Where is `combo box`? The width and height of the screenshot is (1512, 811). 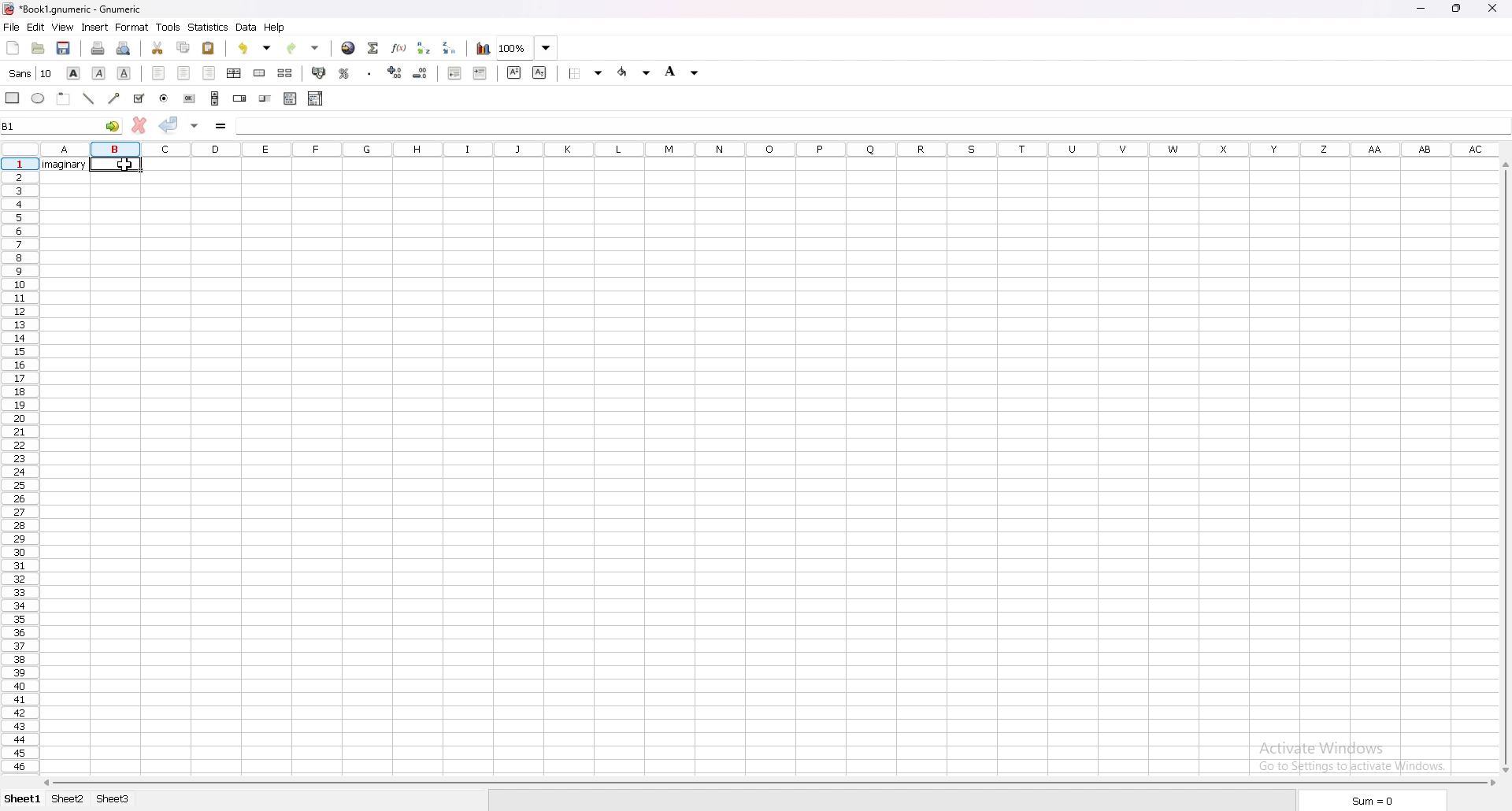 combo box is located at coordinates (317, 99).